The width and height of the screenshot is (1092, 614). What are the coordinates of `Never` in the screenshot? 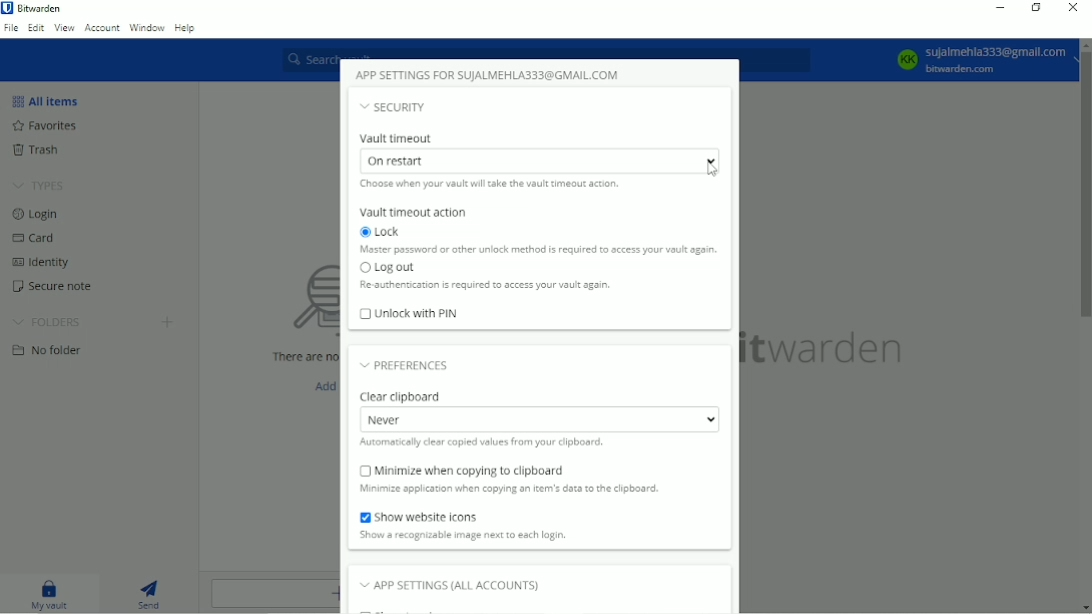 It's located at (538, 419).